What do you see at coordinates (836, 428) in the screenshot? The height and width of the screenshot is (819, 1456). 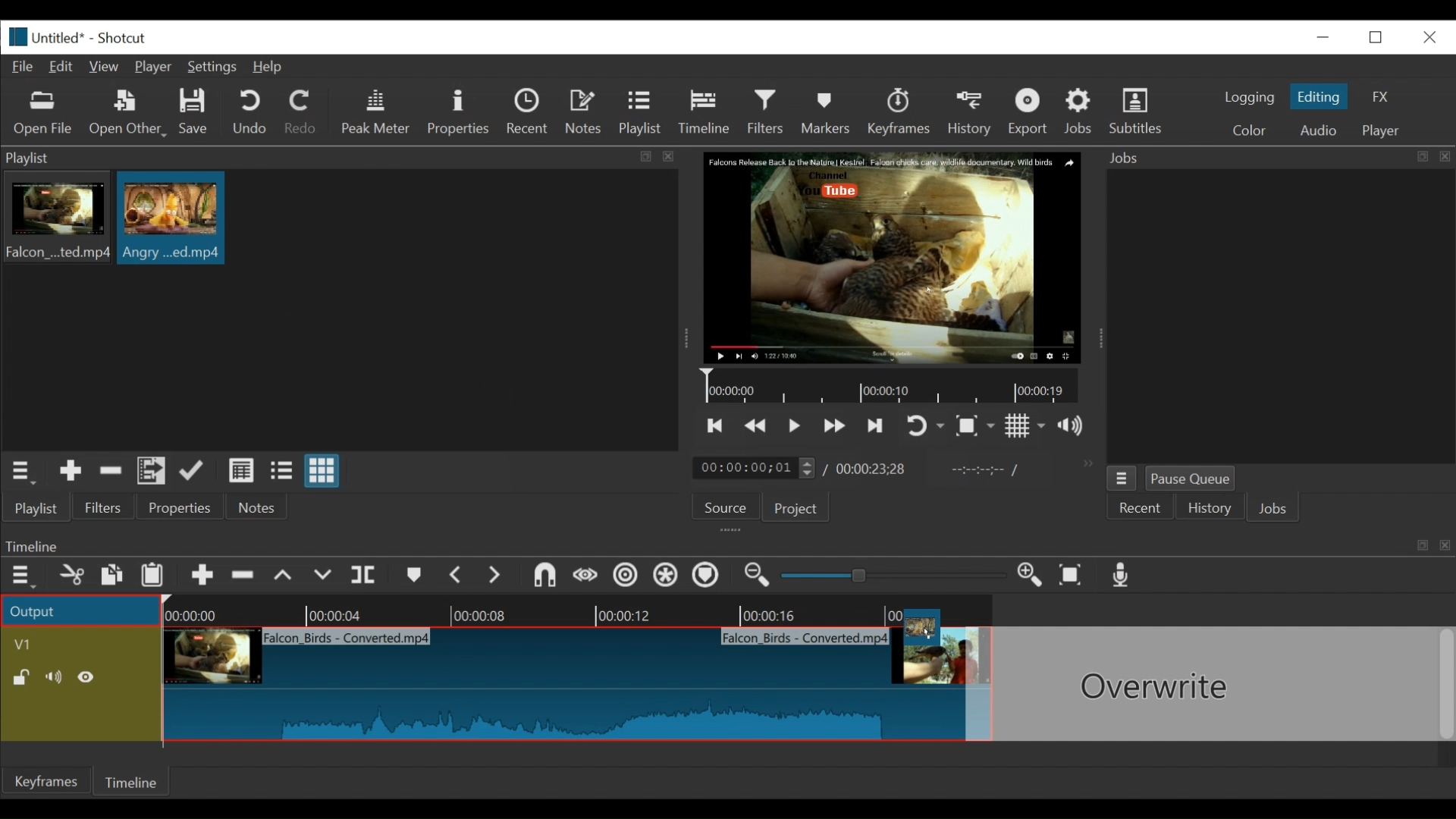 I see `play forward quickly` at bounding box center [836, 428].